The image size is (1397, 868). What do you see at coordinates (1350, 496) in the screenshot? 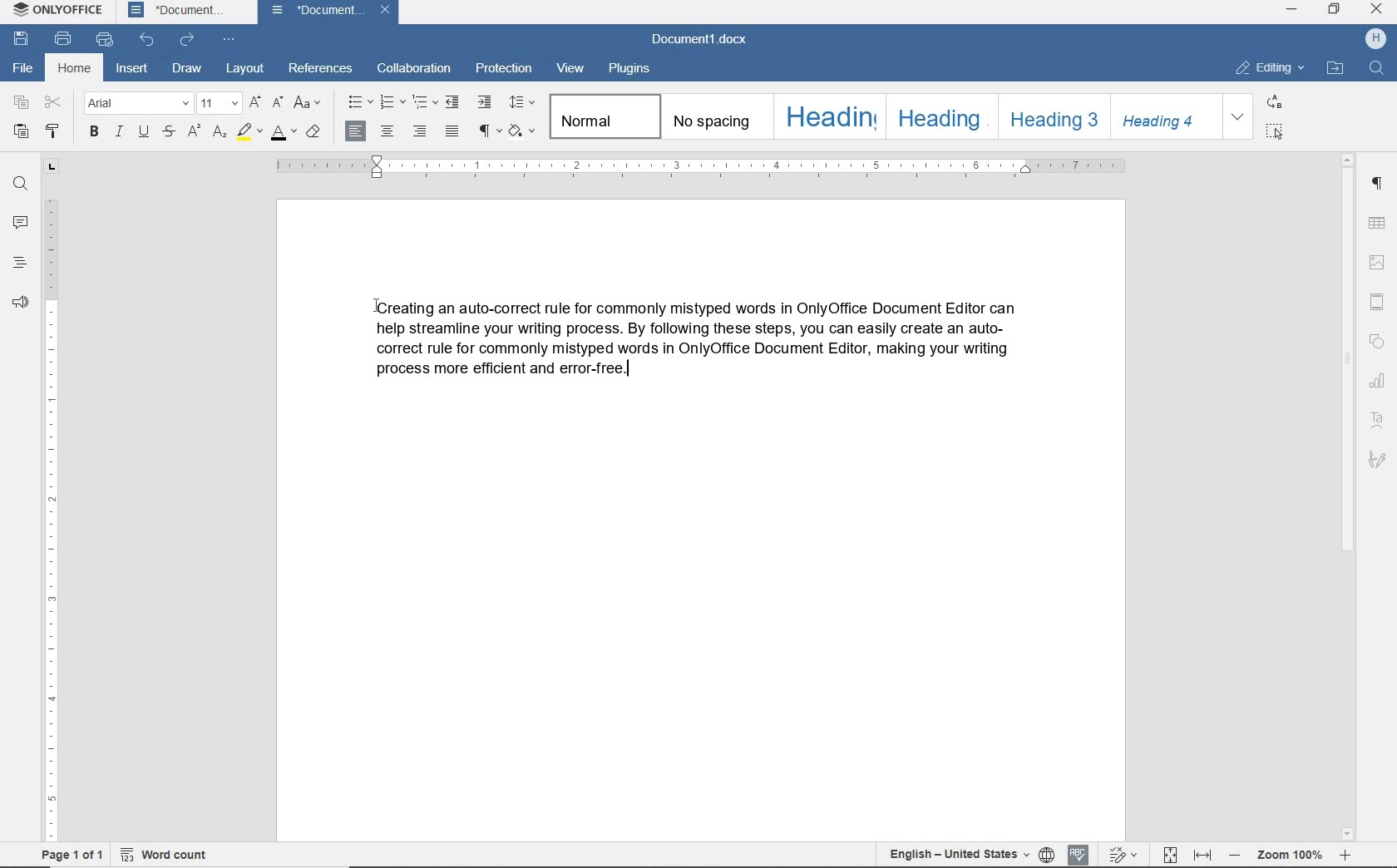
I see `scrollbar` at bounding box center [1350, 496].